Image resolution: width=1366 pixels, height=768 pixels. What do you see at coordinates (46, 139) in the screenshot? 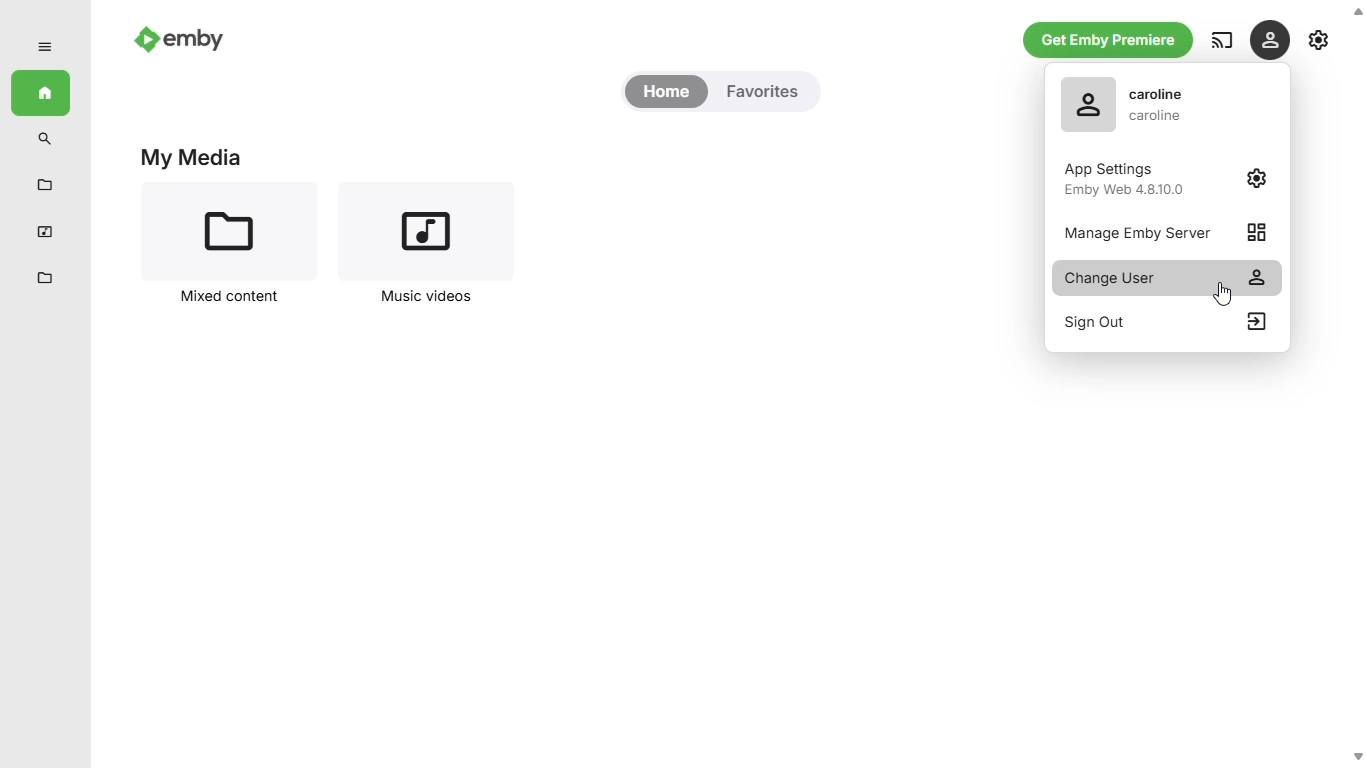
I see `search` at bounding box center [46, 139].